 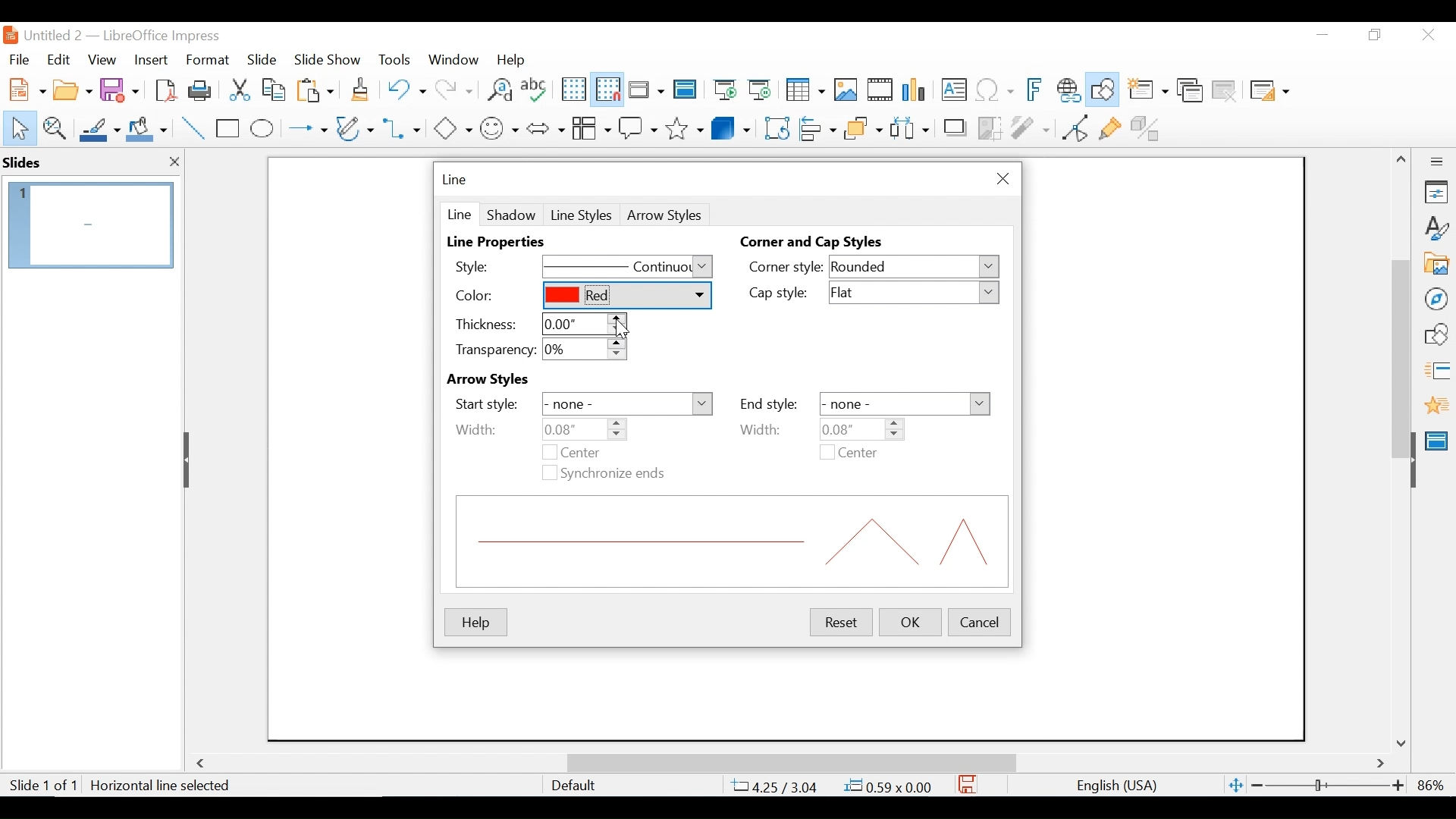 What do you see at coordinates (57, 60) in the screenshot?
I see `Edit` at bounding box center [57, 60].